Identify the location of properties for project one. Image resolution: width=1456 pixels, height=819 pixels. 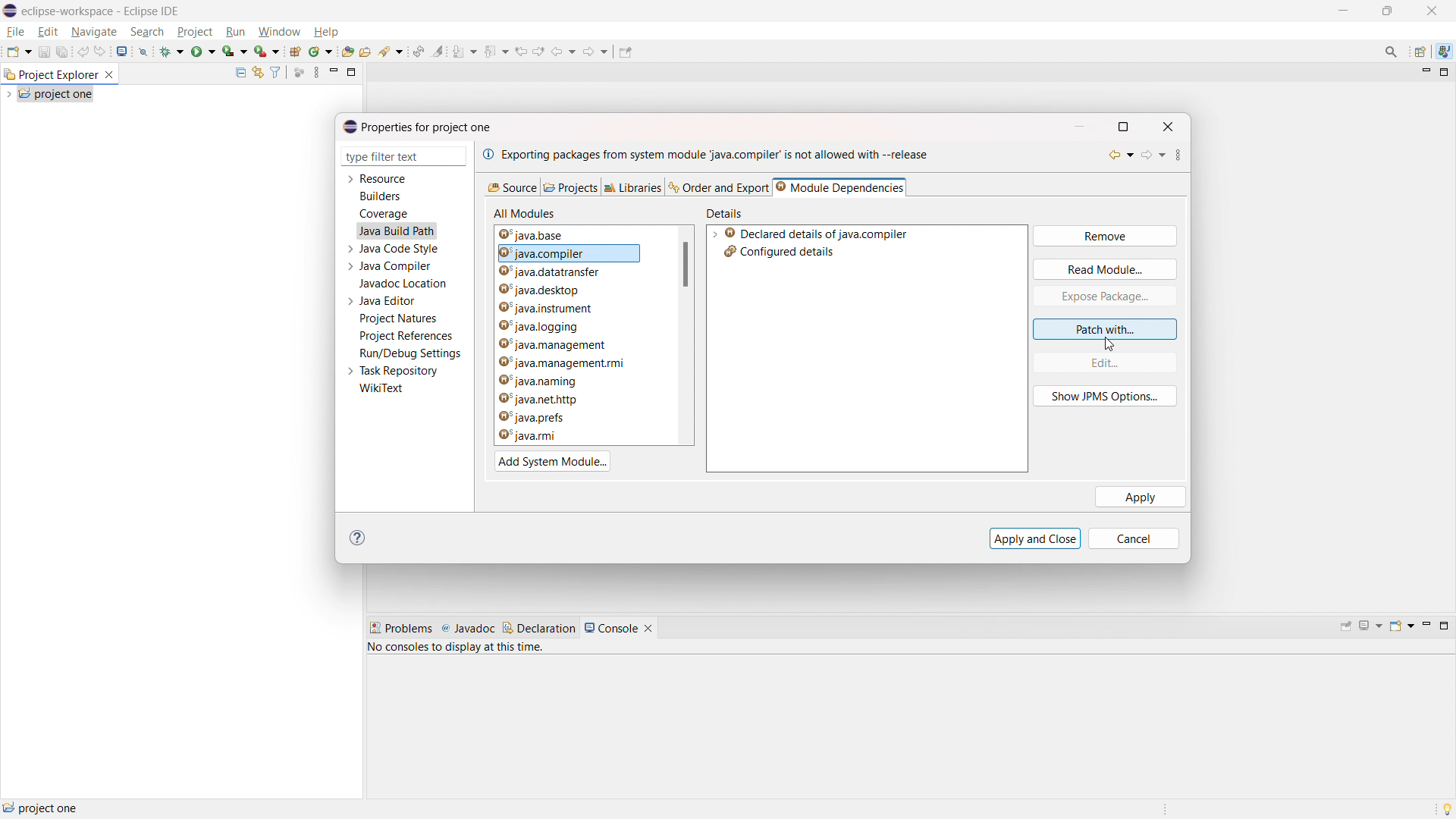
(418, 127).